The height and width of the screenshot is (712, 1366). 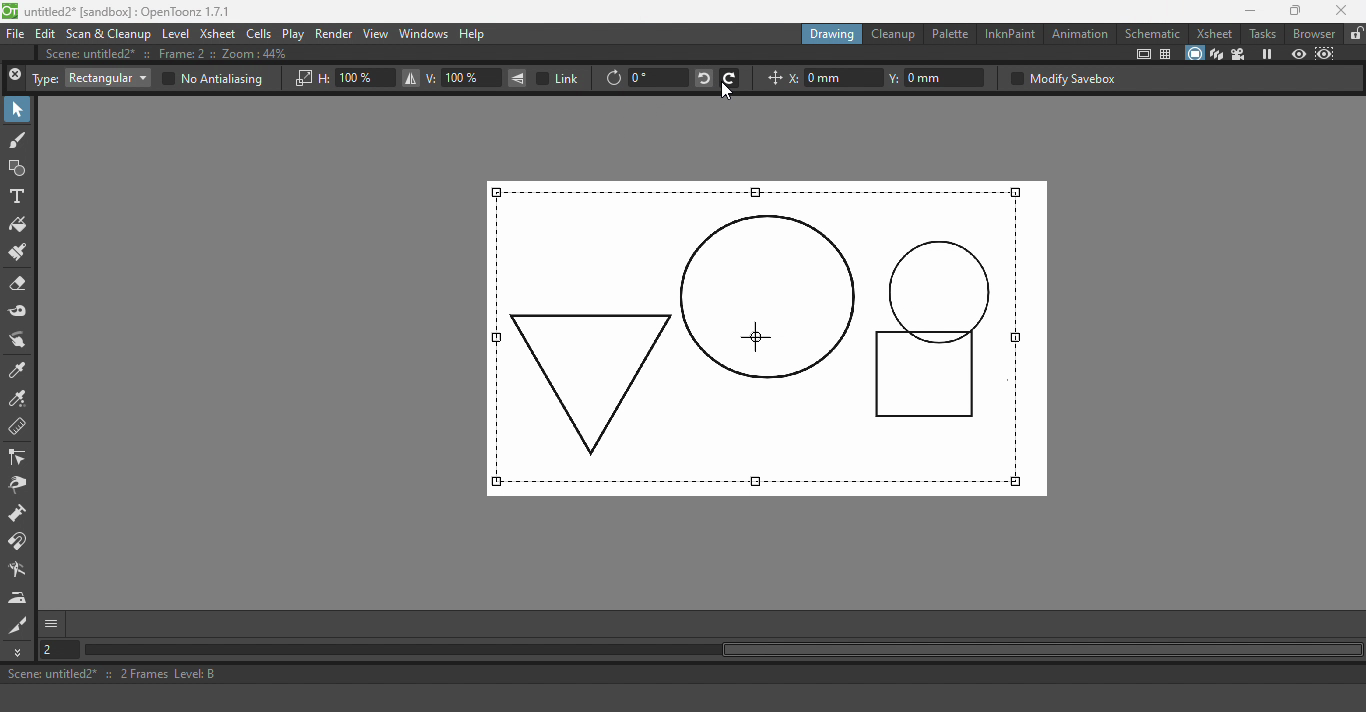 I want to click on Finger tool, so click(x=21, y=340).